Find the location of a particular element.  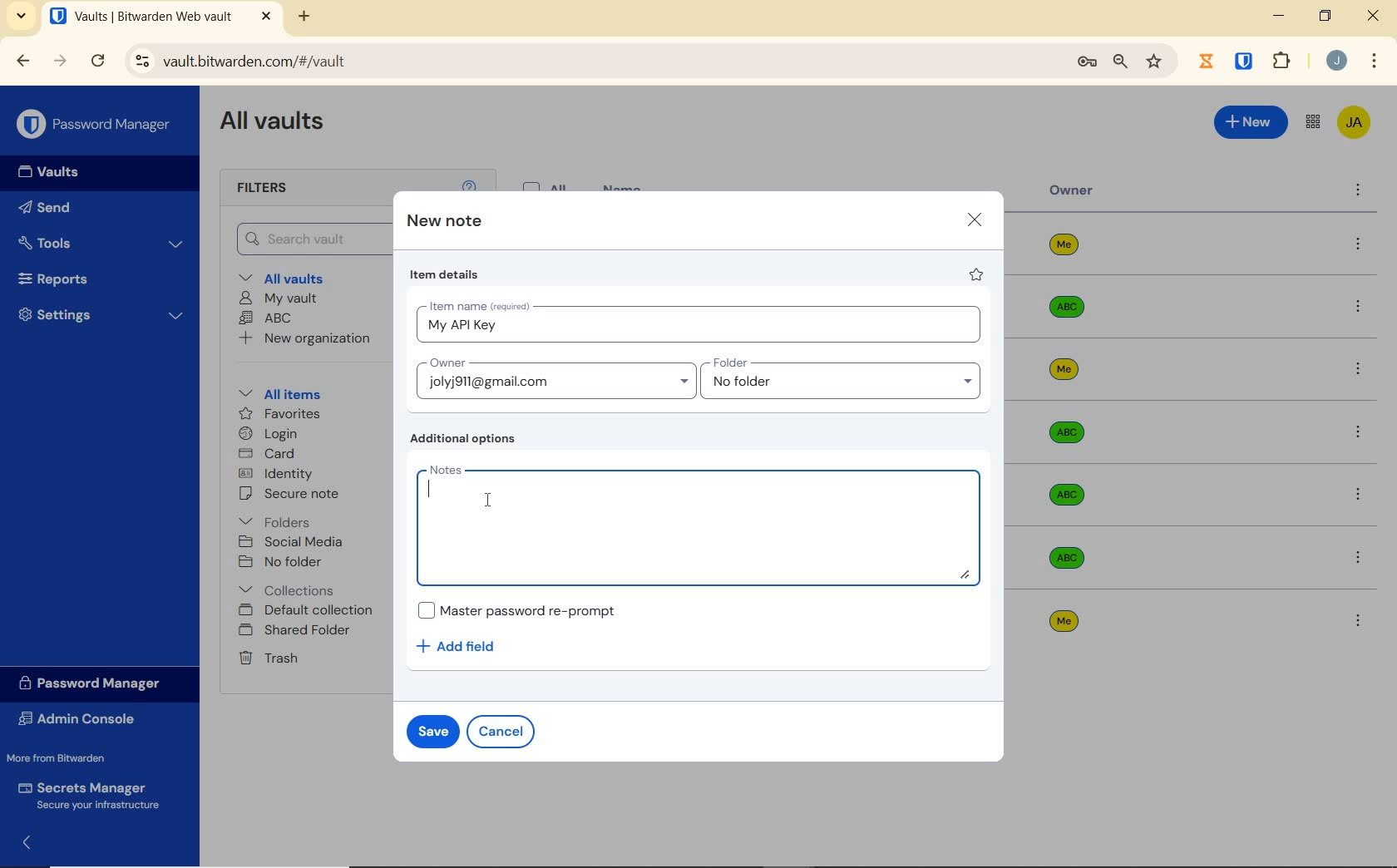

Add field is located at coordinates (464, 646).